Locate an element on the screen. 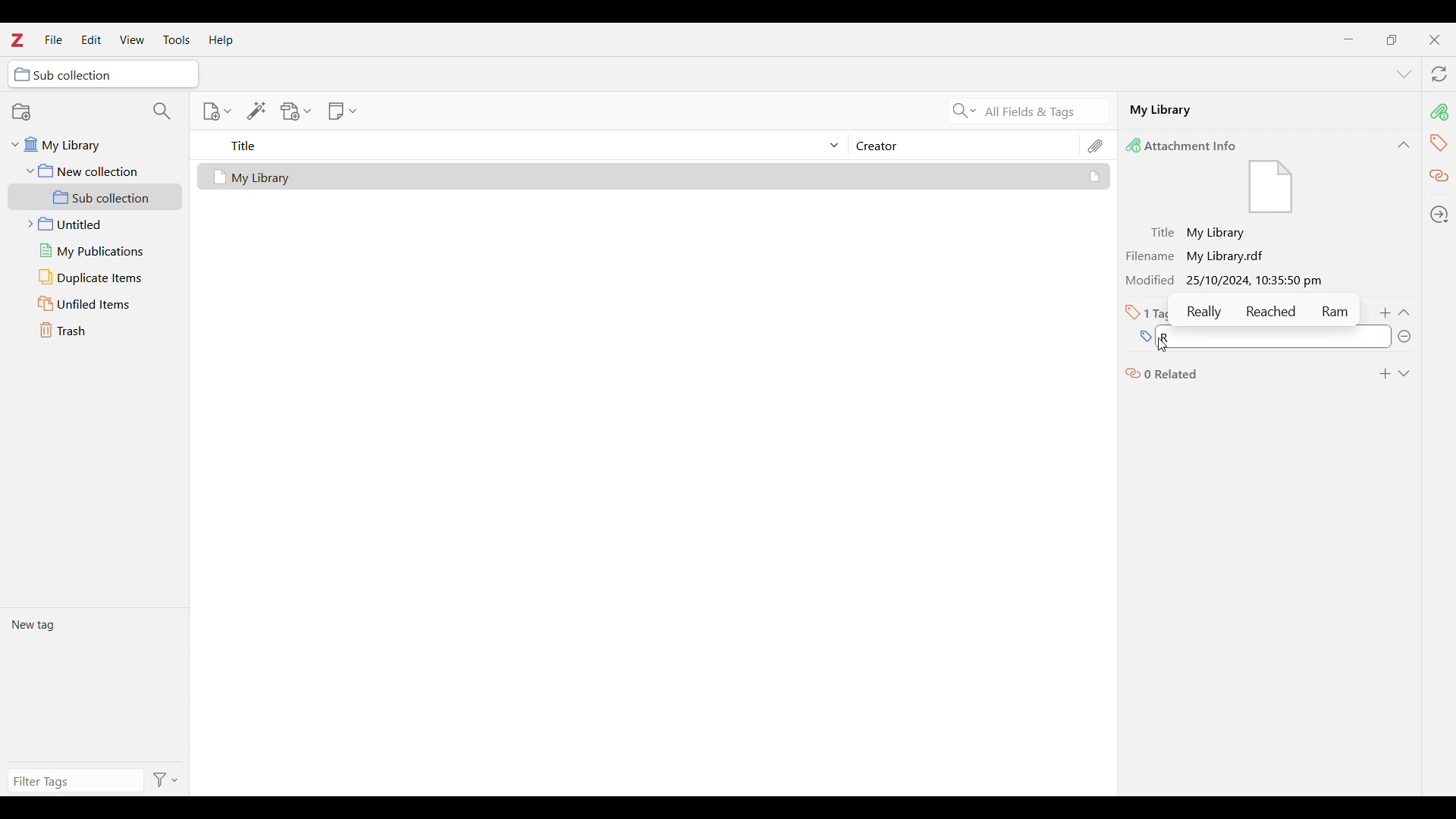 This screenshot has height=819, width=1456. Duplicate items folder is located at coordinates (96, 278).